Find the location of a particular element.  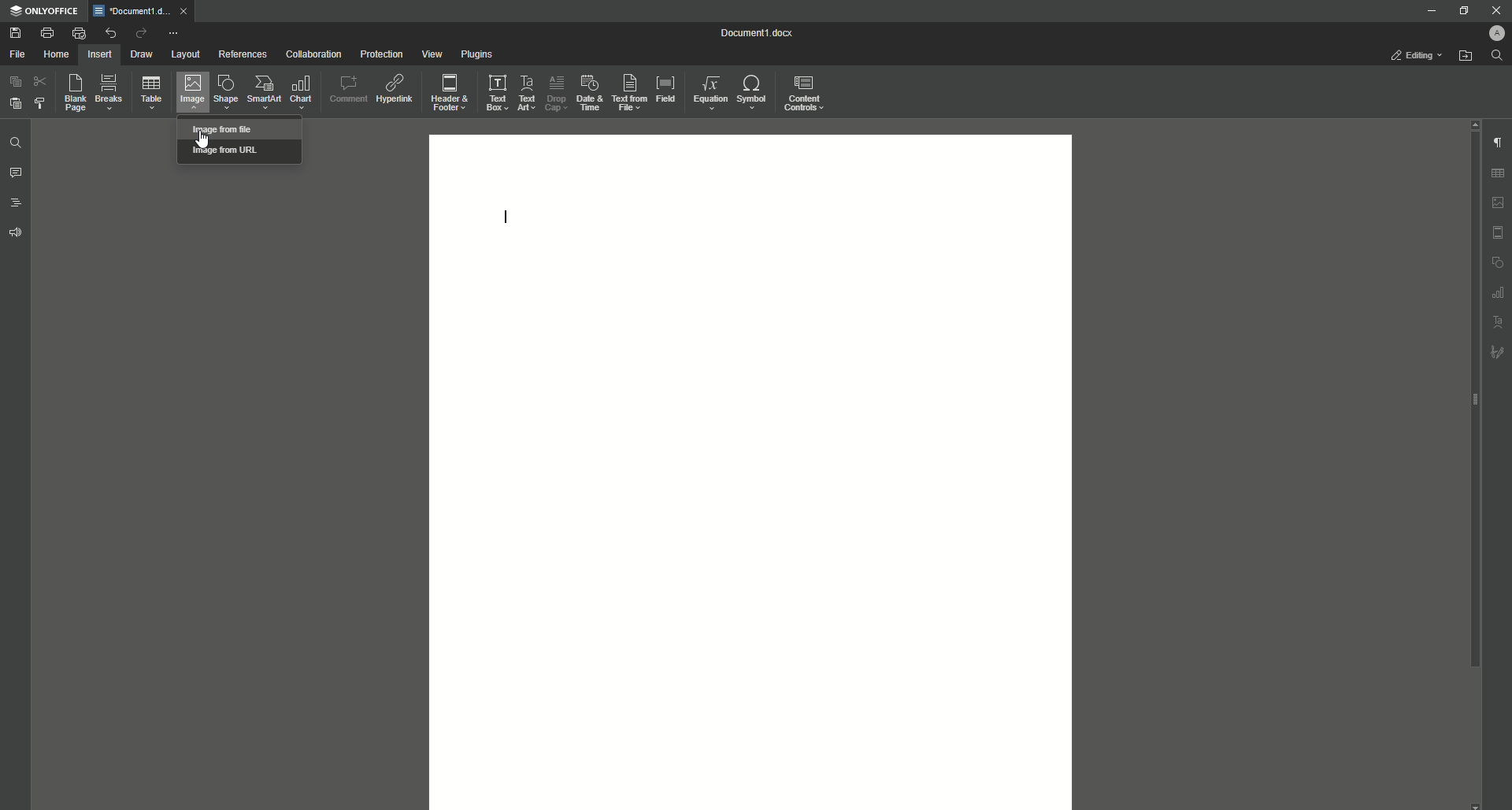

Paste is located at coordinates (15, 104).